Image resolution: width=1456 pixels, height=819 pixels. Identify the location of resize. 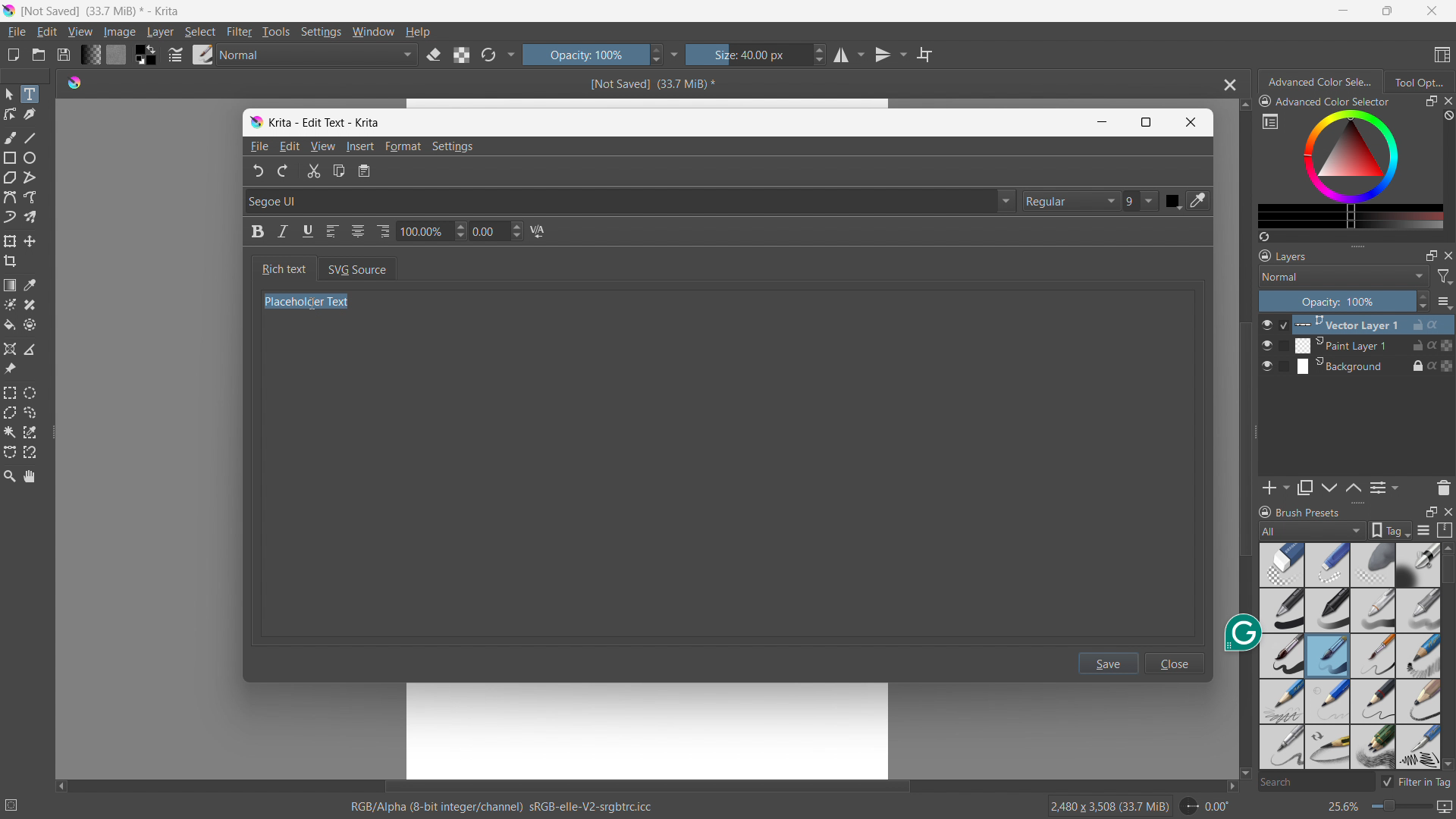
(1357, 244).